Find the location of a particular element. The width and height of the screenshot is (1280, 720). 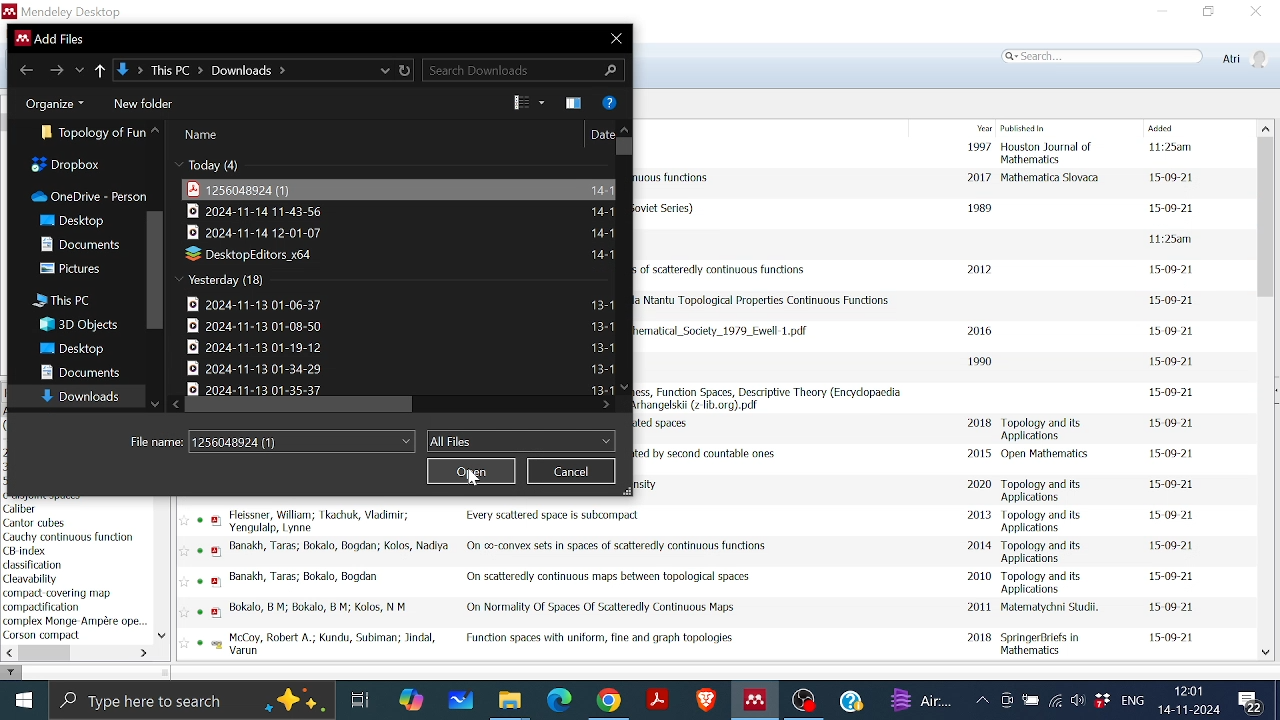

read status is located at coordinates (202, 643).